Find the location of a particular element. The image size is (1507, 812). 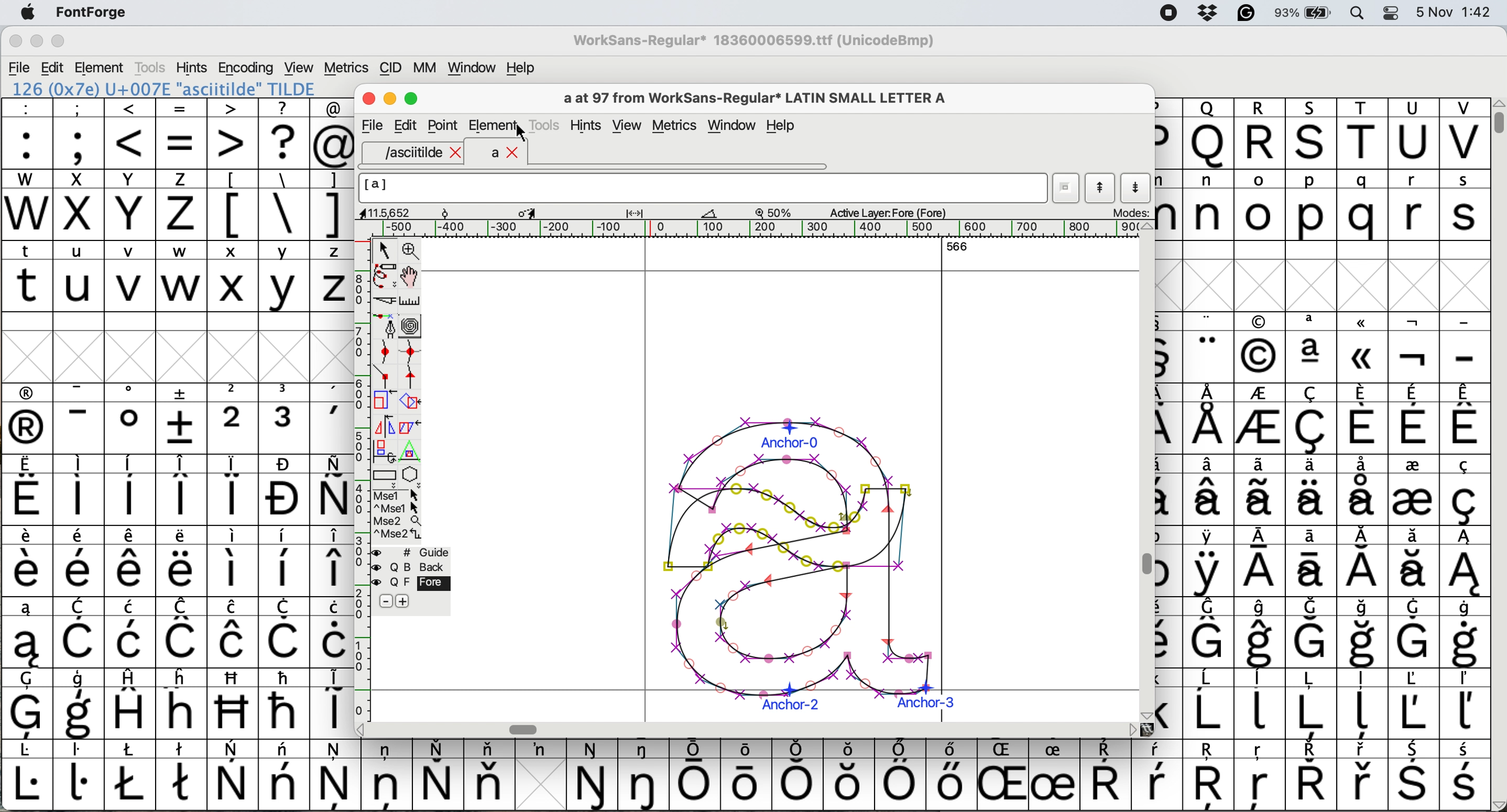

symbol is located at coordinates (82, 634).